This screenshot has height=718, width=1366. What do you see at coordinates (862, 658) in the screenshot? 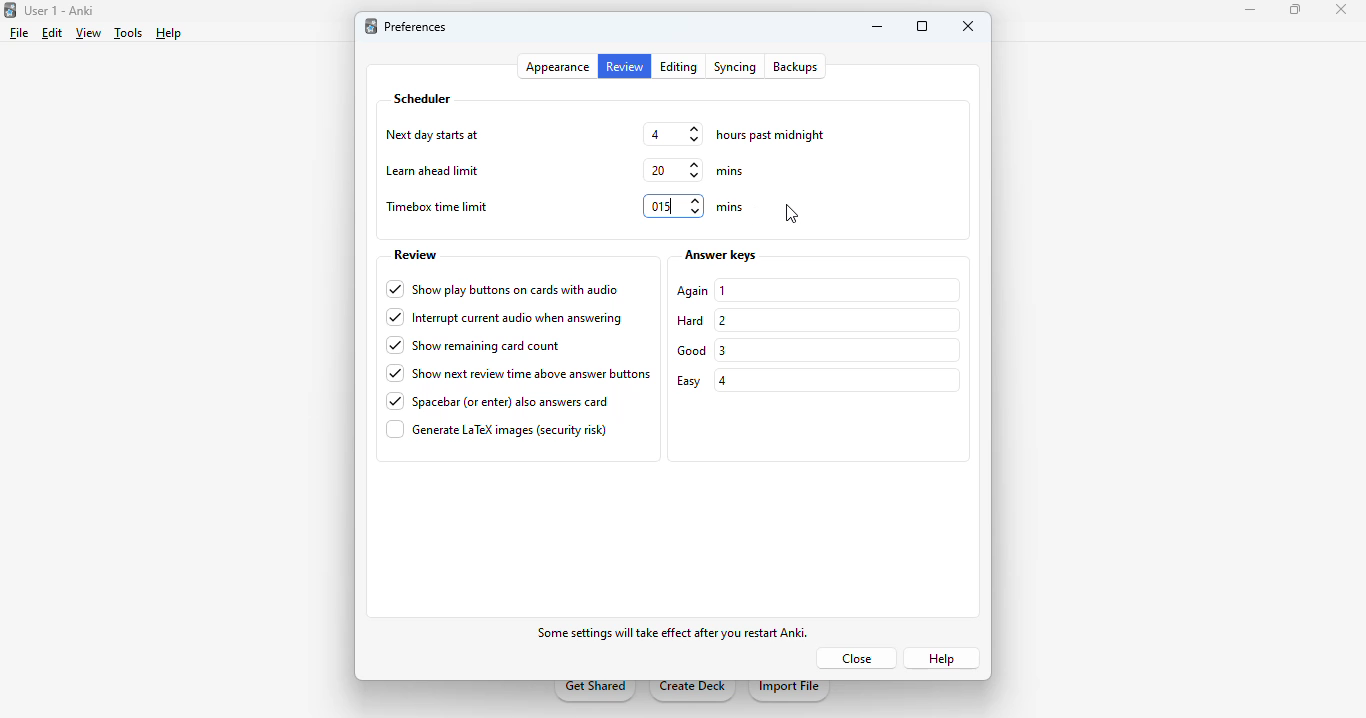
I see `close` at bounding box center [862, 658].